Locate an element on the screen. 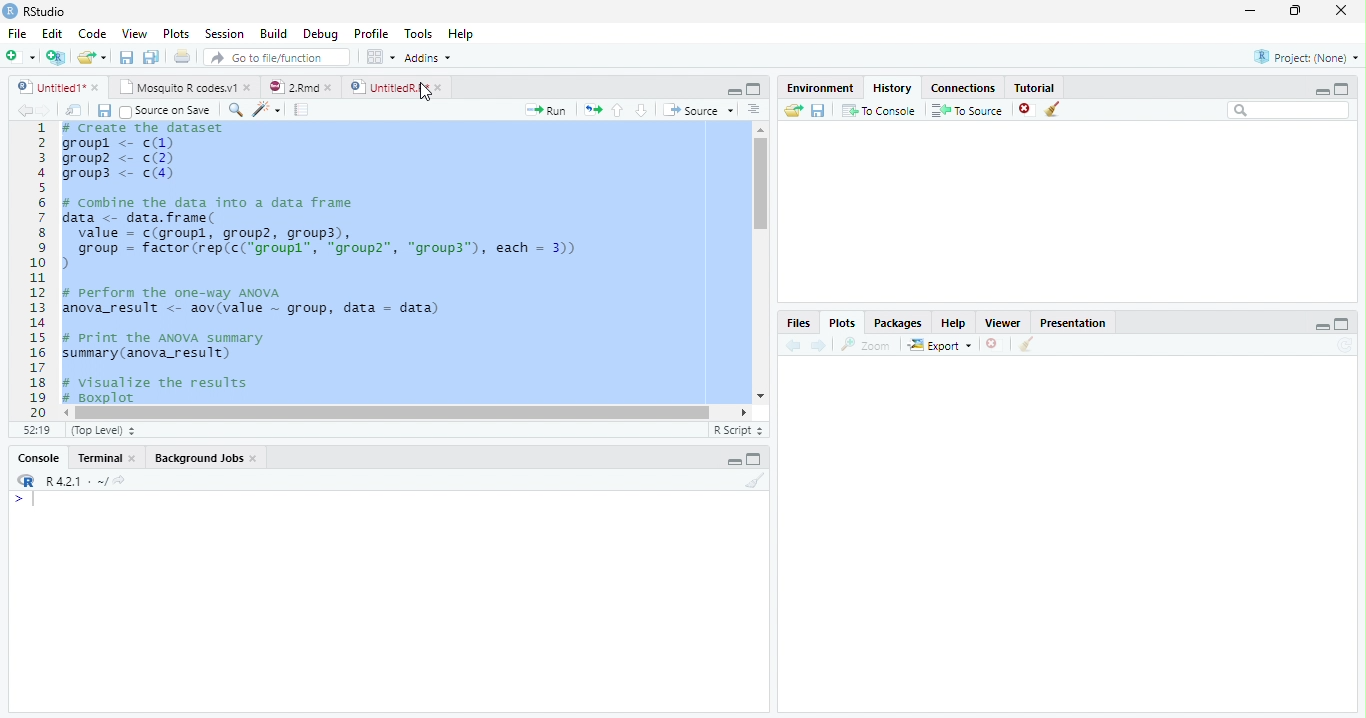  Untitled R* is located at coordinates (396, 87).